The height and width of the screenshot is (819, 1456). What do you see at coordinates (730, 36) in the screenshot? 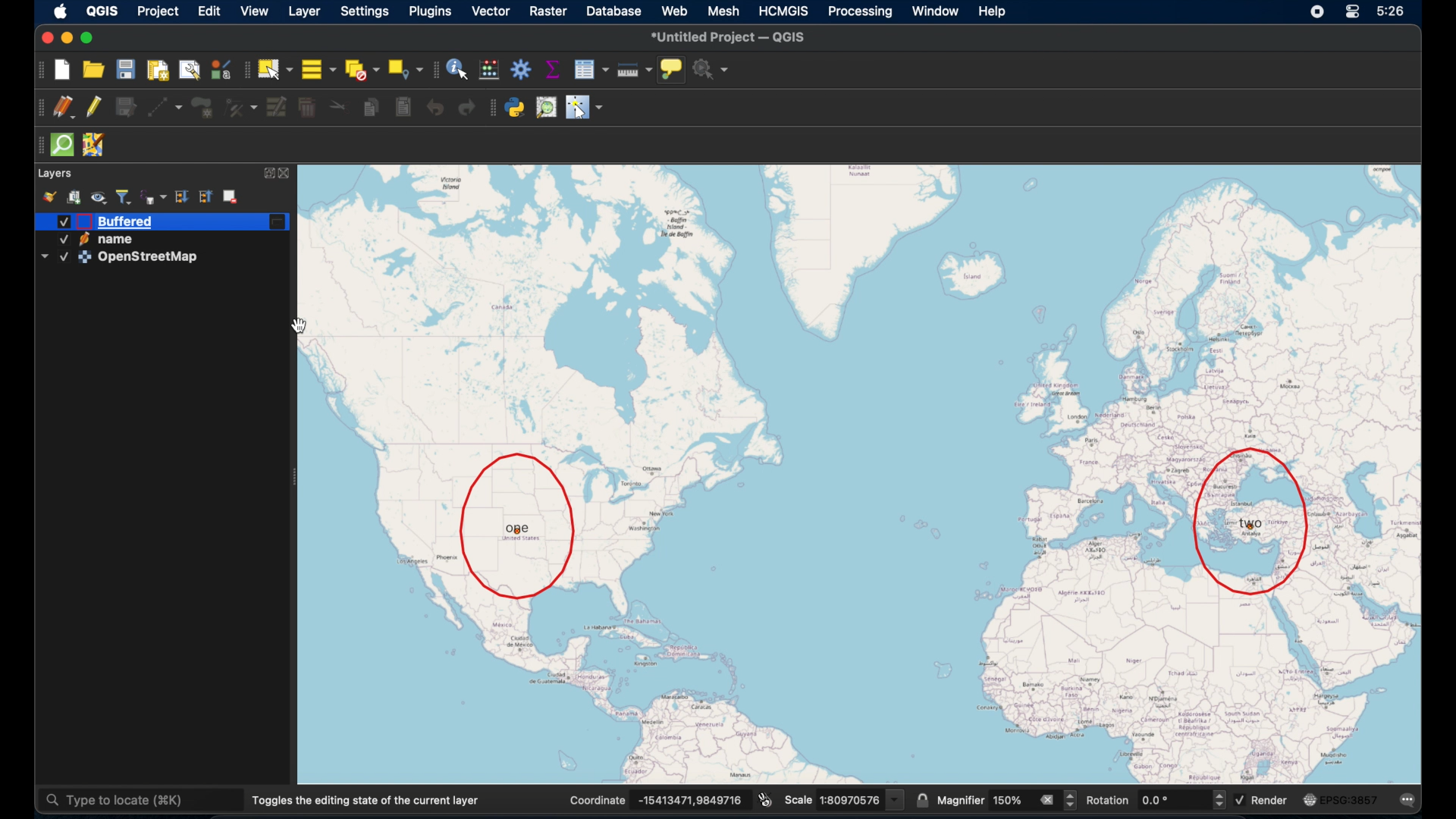
I see `untitled project - QGIS` at bounding box center [730, 36].